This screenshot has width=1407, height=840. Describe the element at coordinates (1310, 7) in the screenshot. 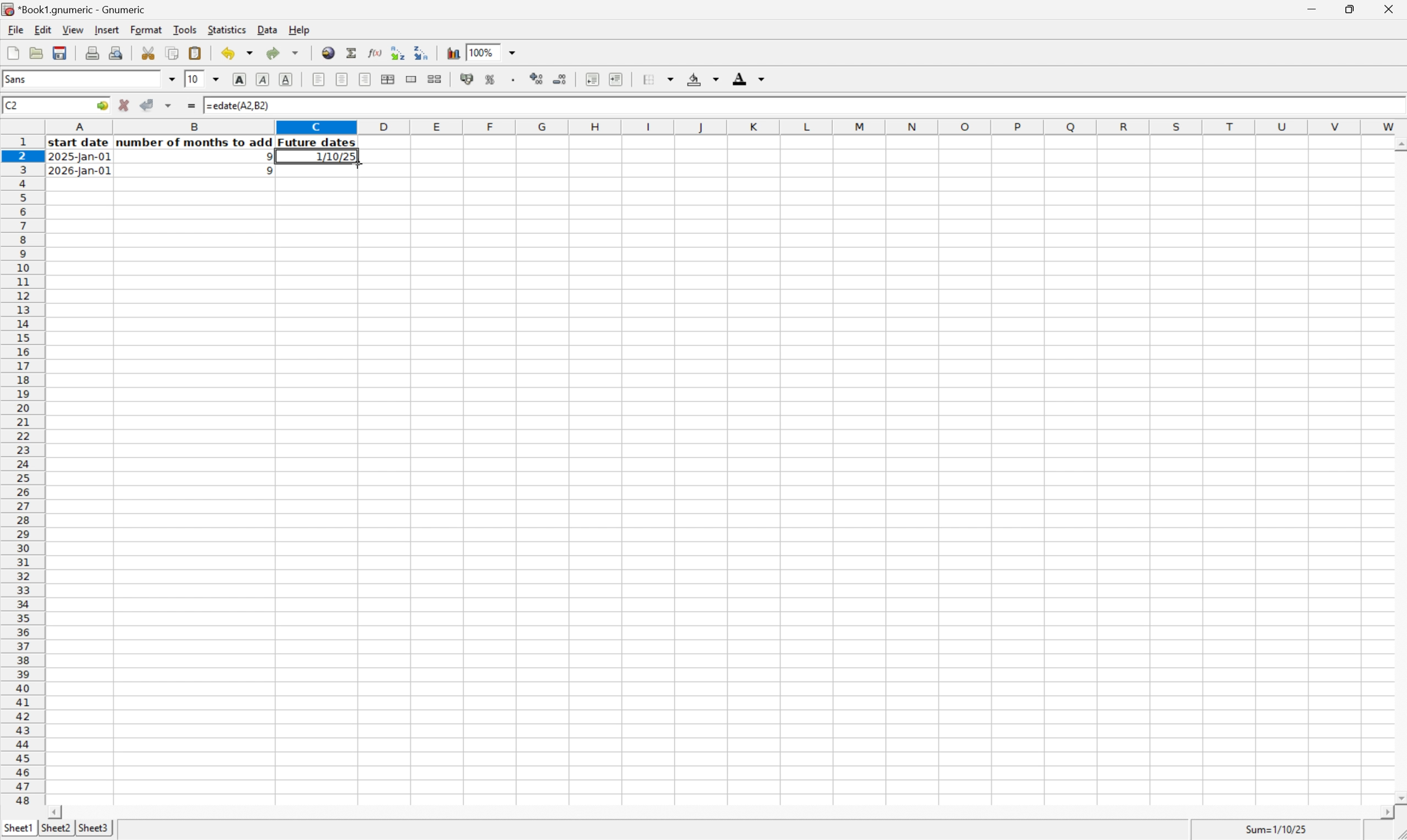

I see `Minimize` at that location.